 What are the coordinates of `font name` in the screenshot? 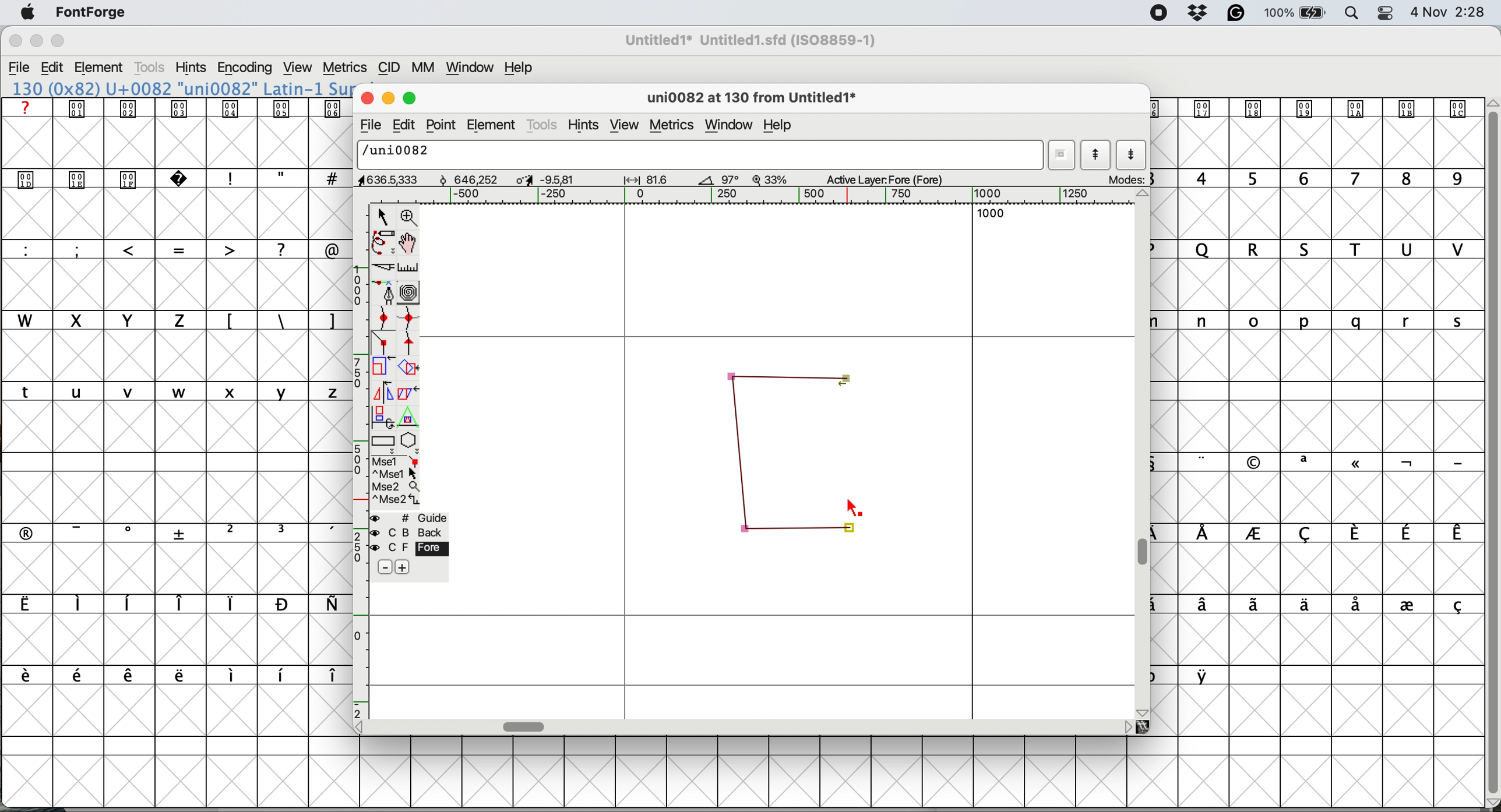 It's located at (179, 89).